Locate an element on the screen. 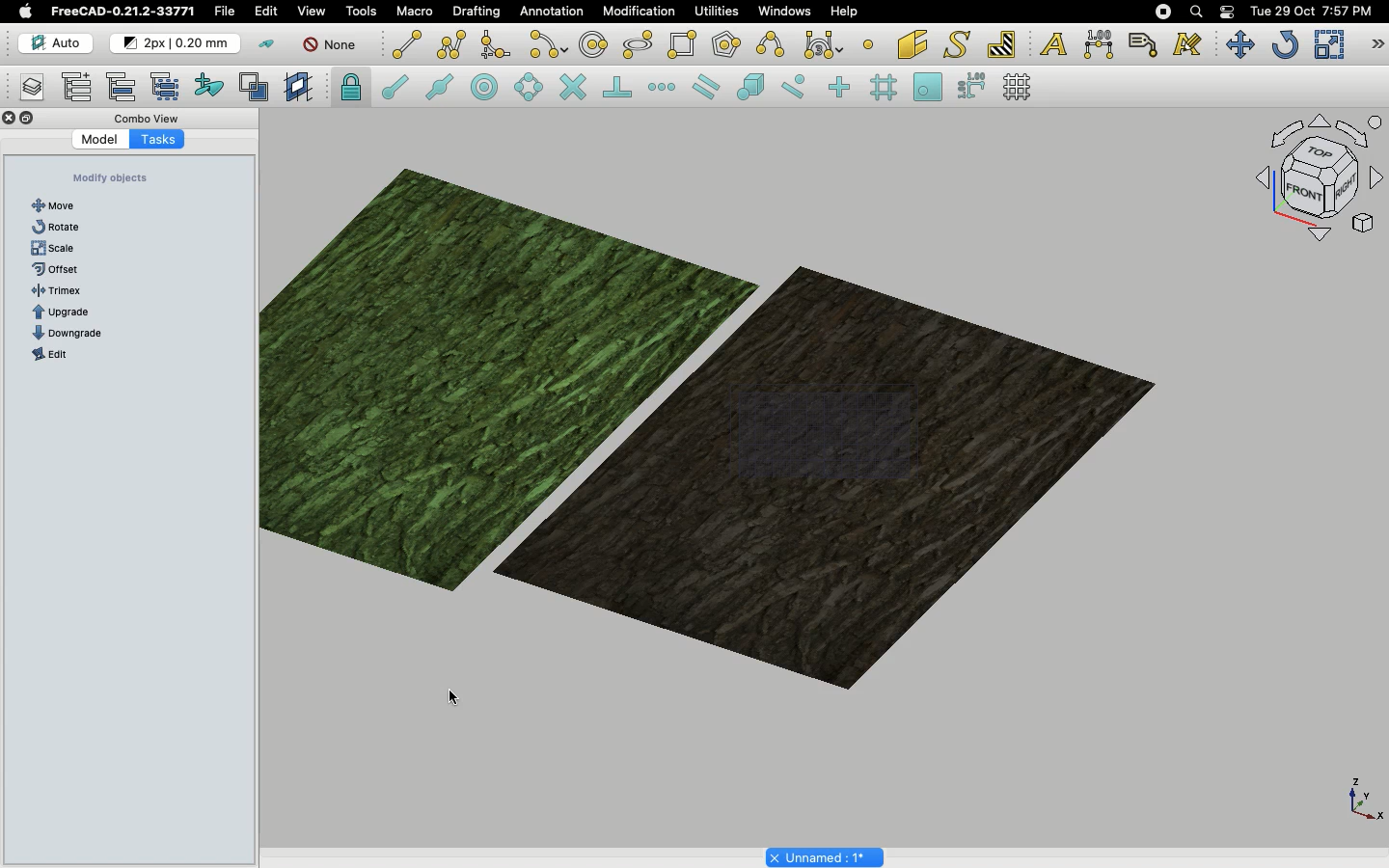 This screenshot has width=1389, height=868. Combo view is located at coordinates (149, 118).